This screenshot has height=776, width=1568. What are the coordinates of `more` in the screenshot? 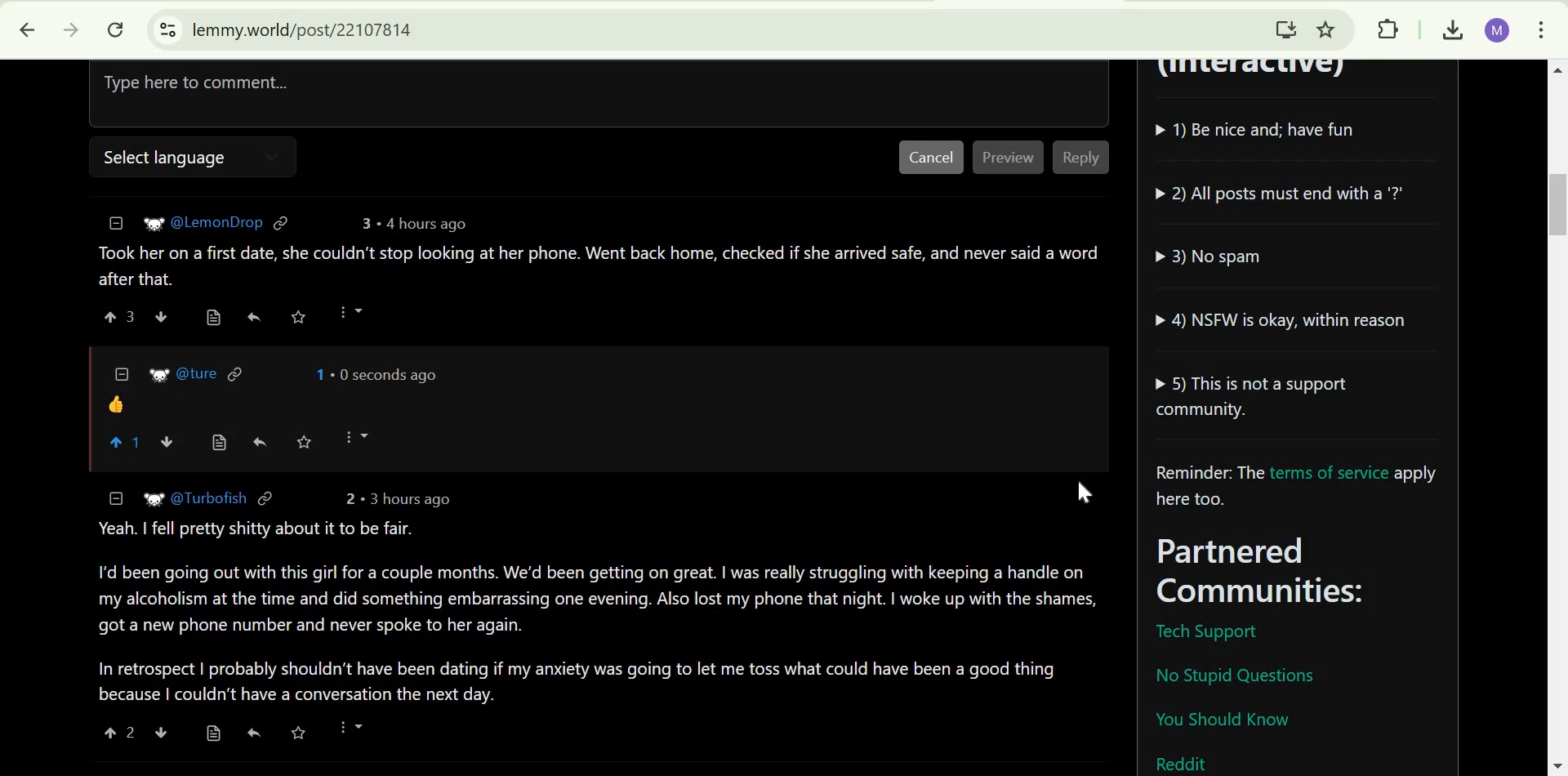 It's located at (352, 731).